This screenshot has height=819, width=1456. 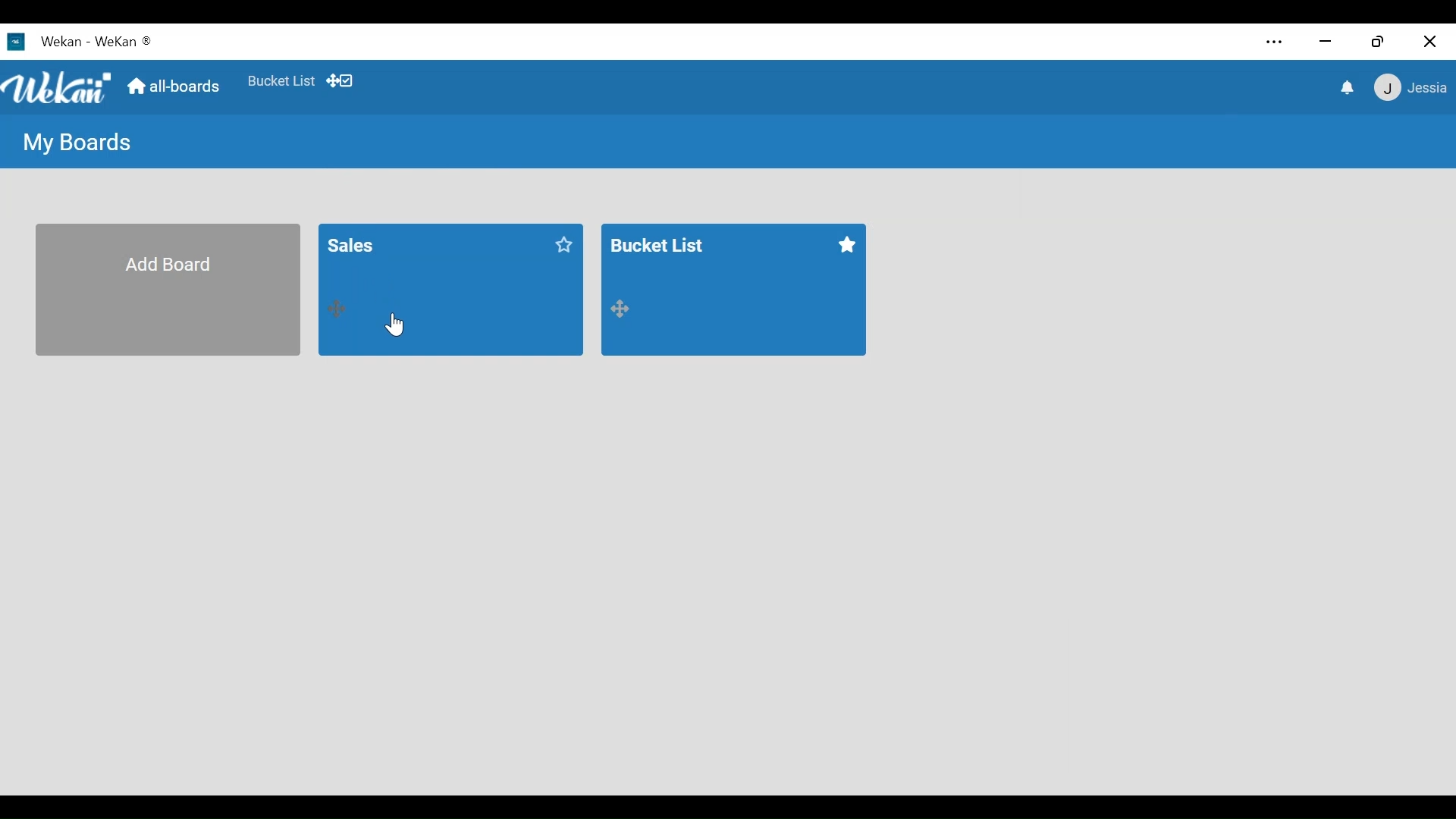 What do you see at coordinates (1382, 40) in the screenshot?
I see `Restore` at bounding box center [1382, 40].